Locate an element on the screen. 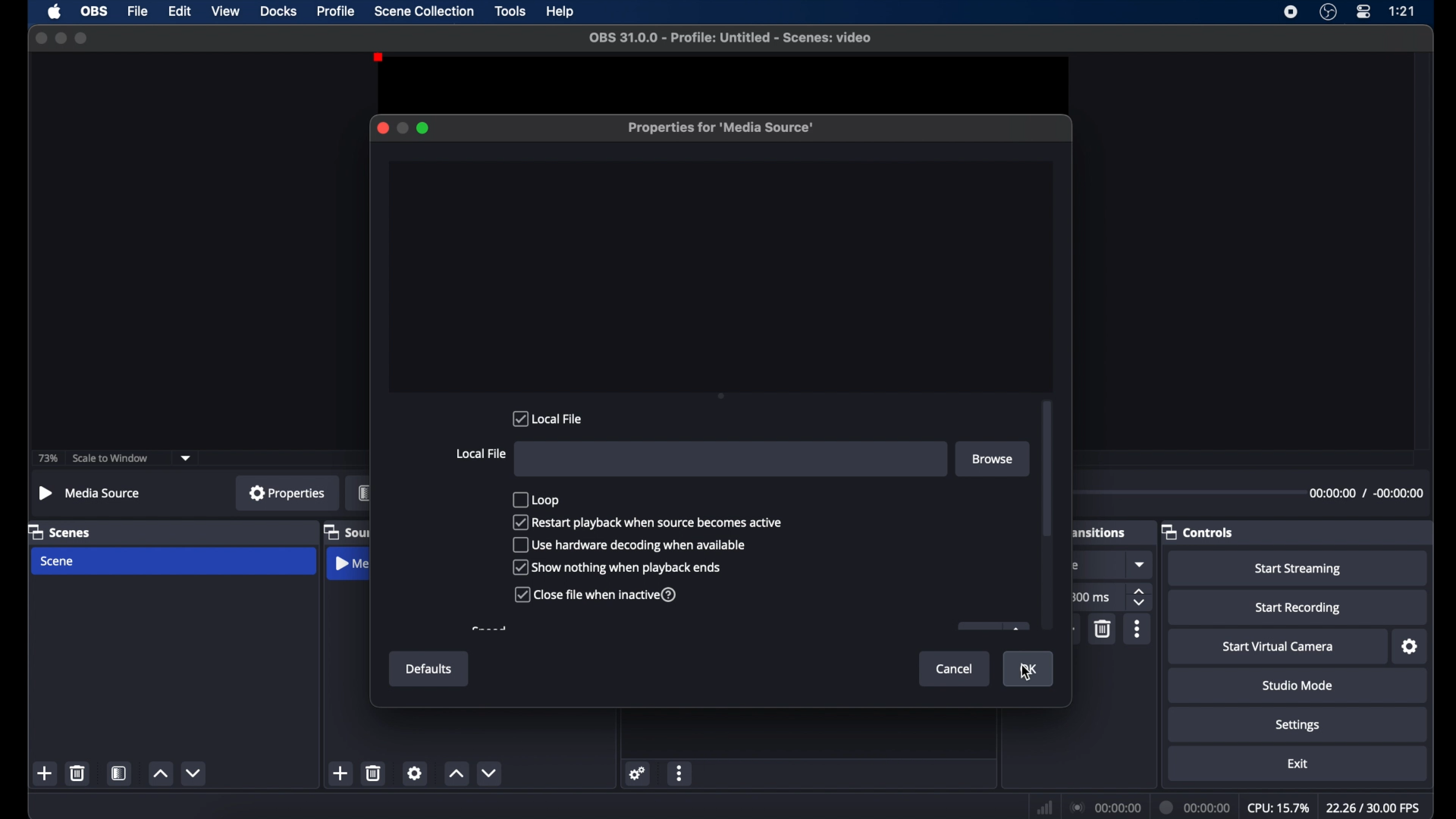 The image size is (1456, 819). use hardware decoding when available is located at coordinates (629, 544).